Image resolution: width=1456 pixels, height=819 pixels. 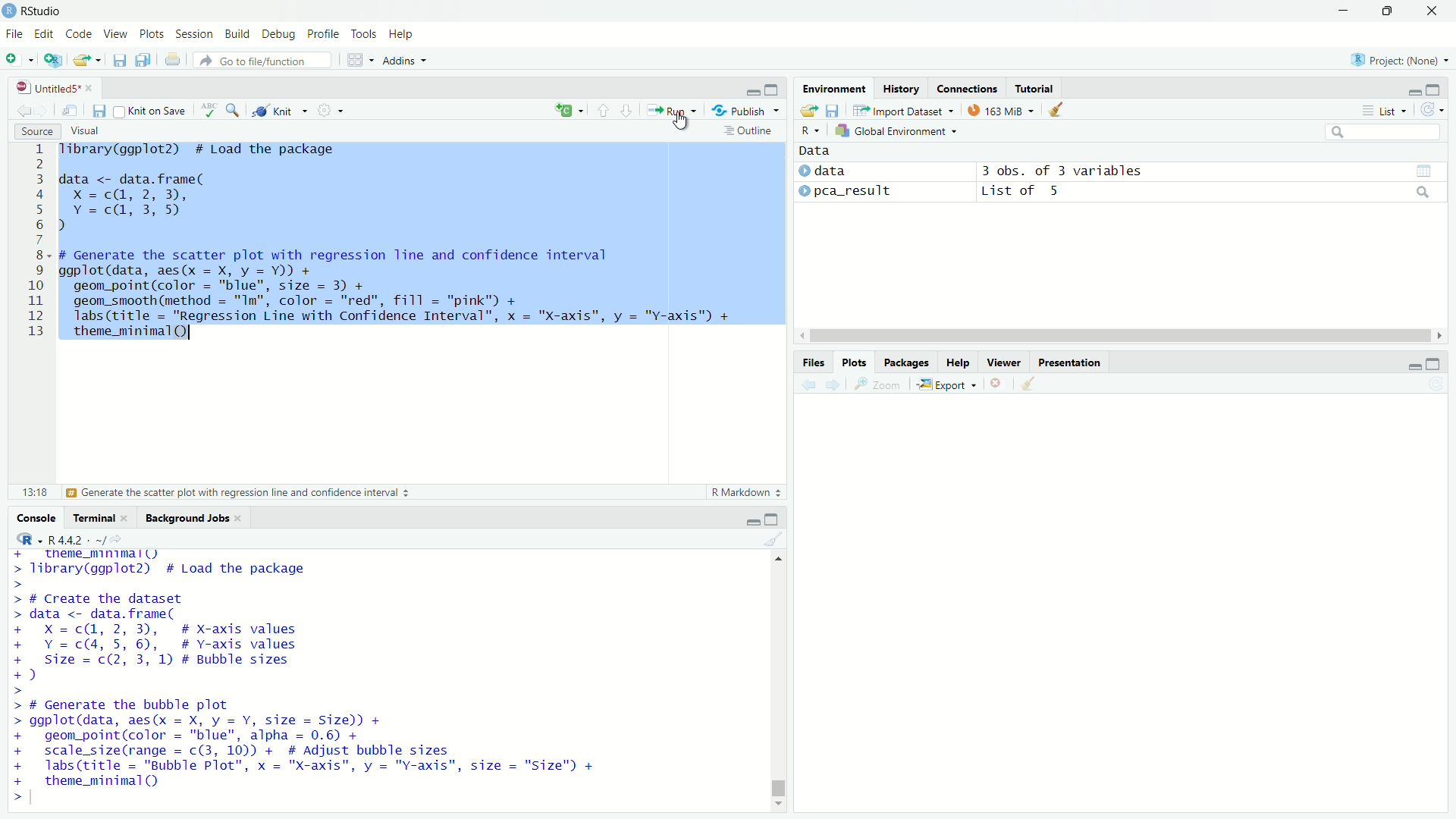 I want to click on Project: (None), so click(x=1398, y=59).